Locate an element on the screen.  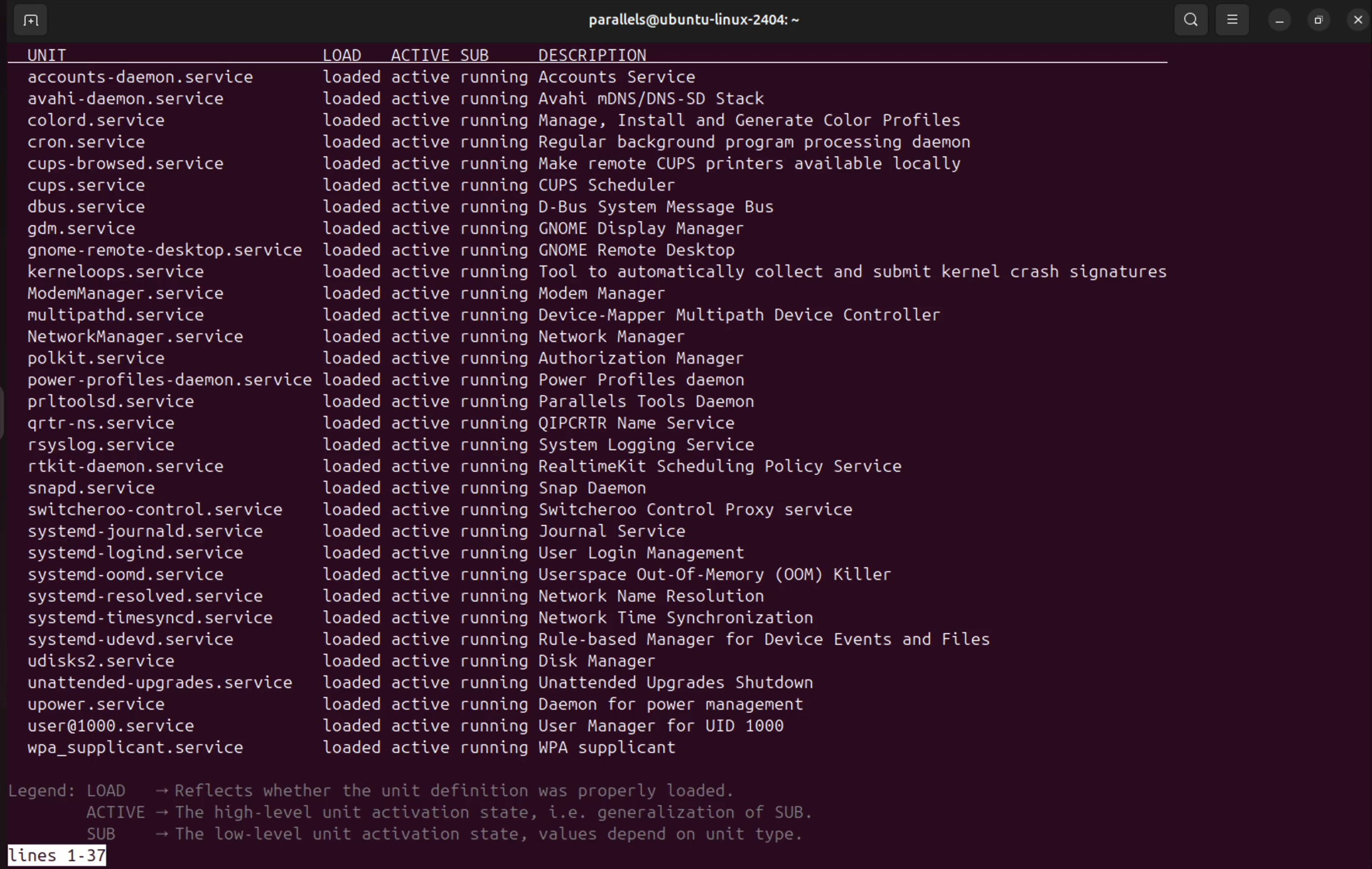
system-timesyncd .service is located at coordinates (152, 620).